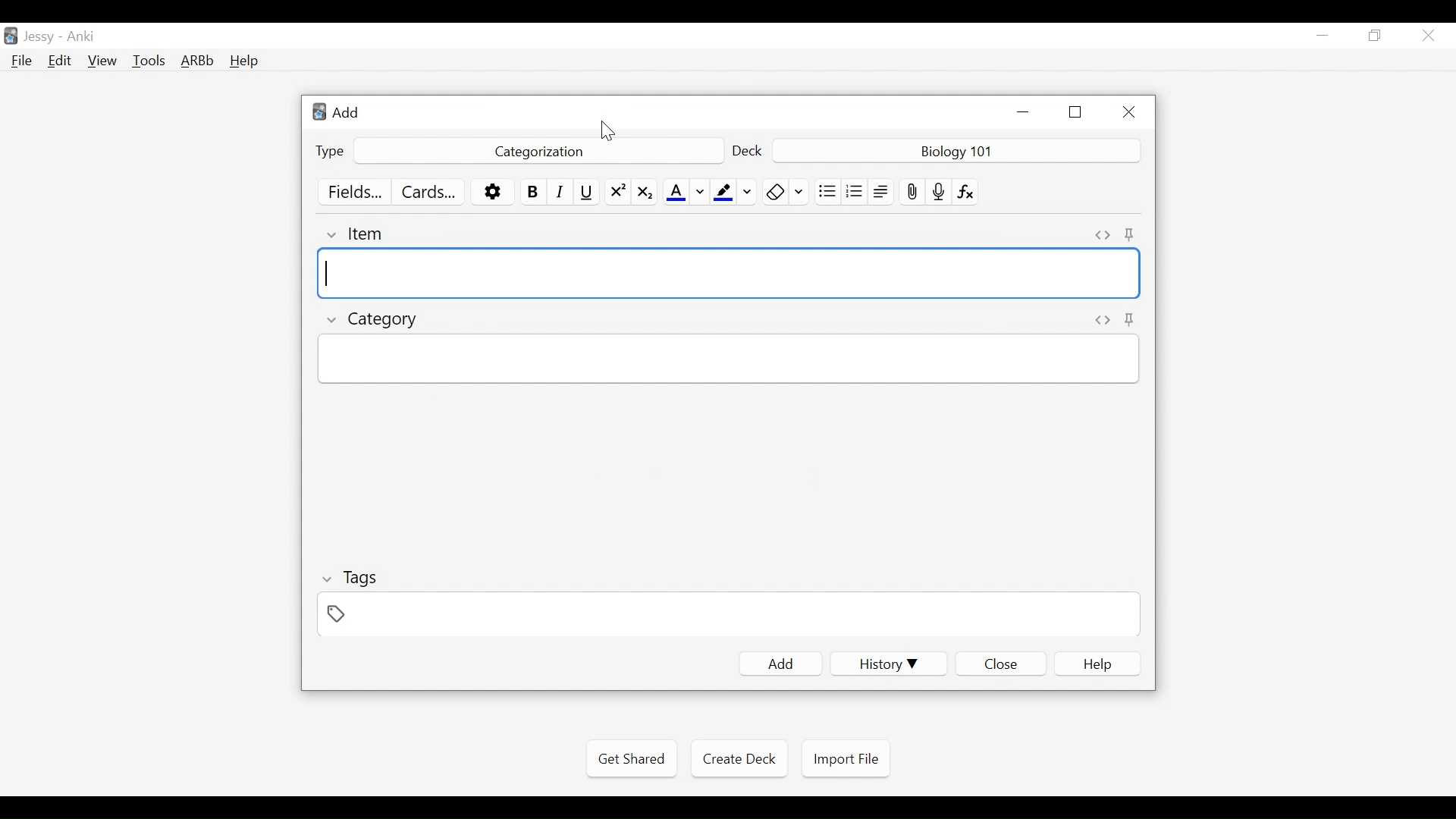 This screenshot has height=819, width=1456. Describe the element at coordinates (534, 192) in the screenshot. I see `Bold` at that location.